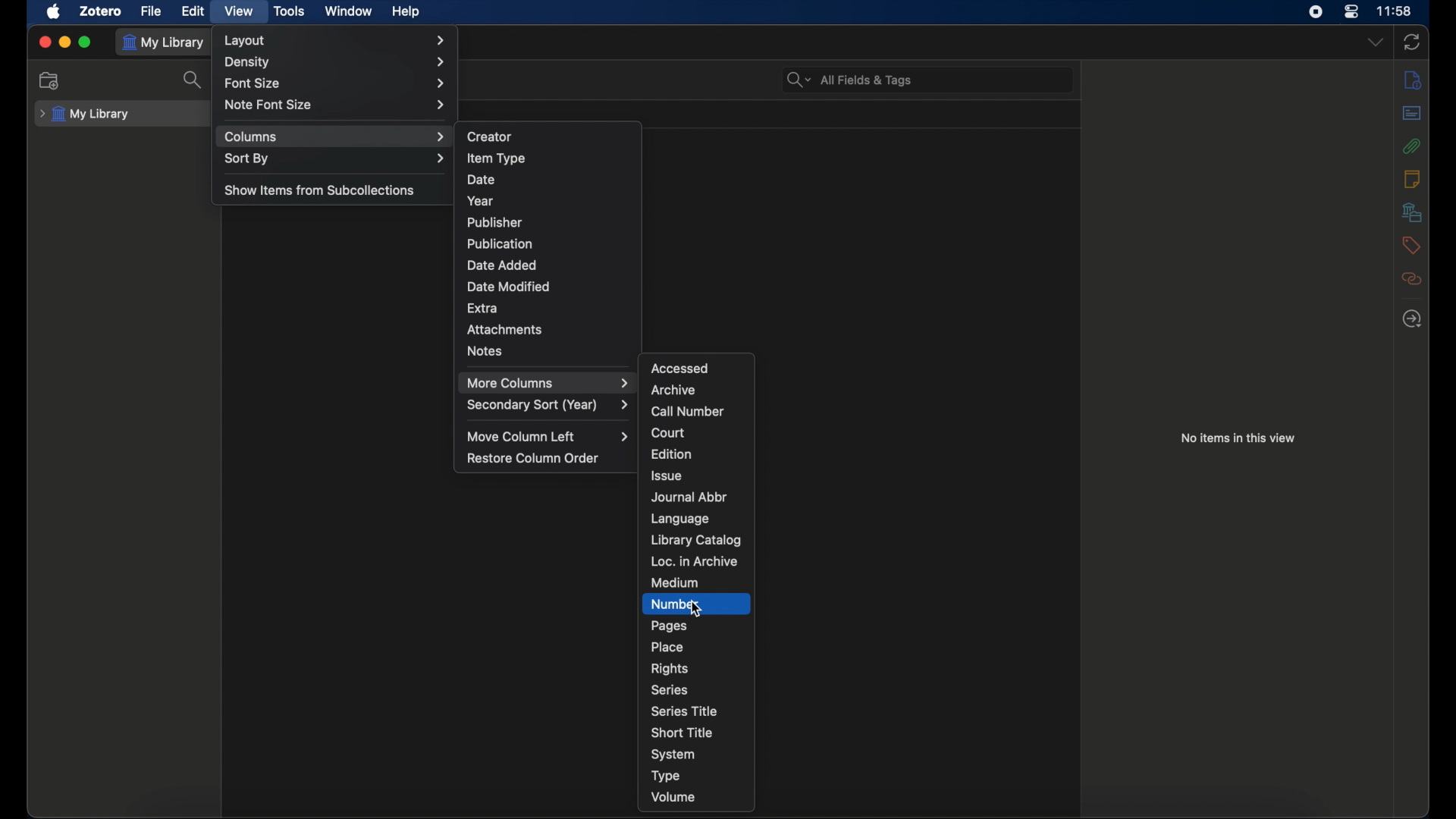 This screenshot has width=1456, height=819. I want to click on window, so click(350, 11).